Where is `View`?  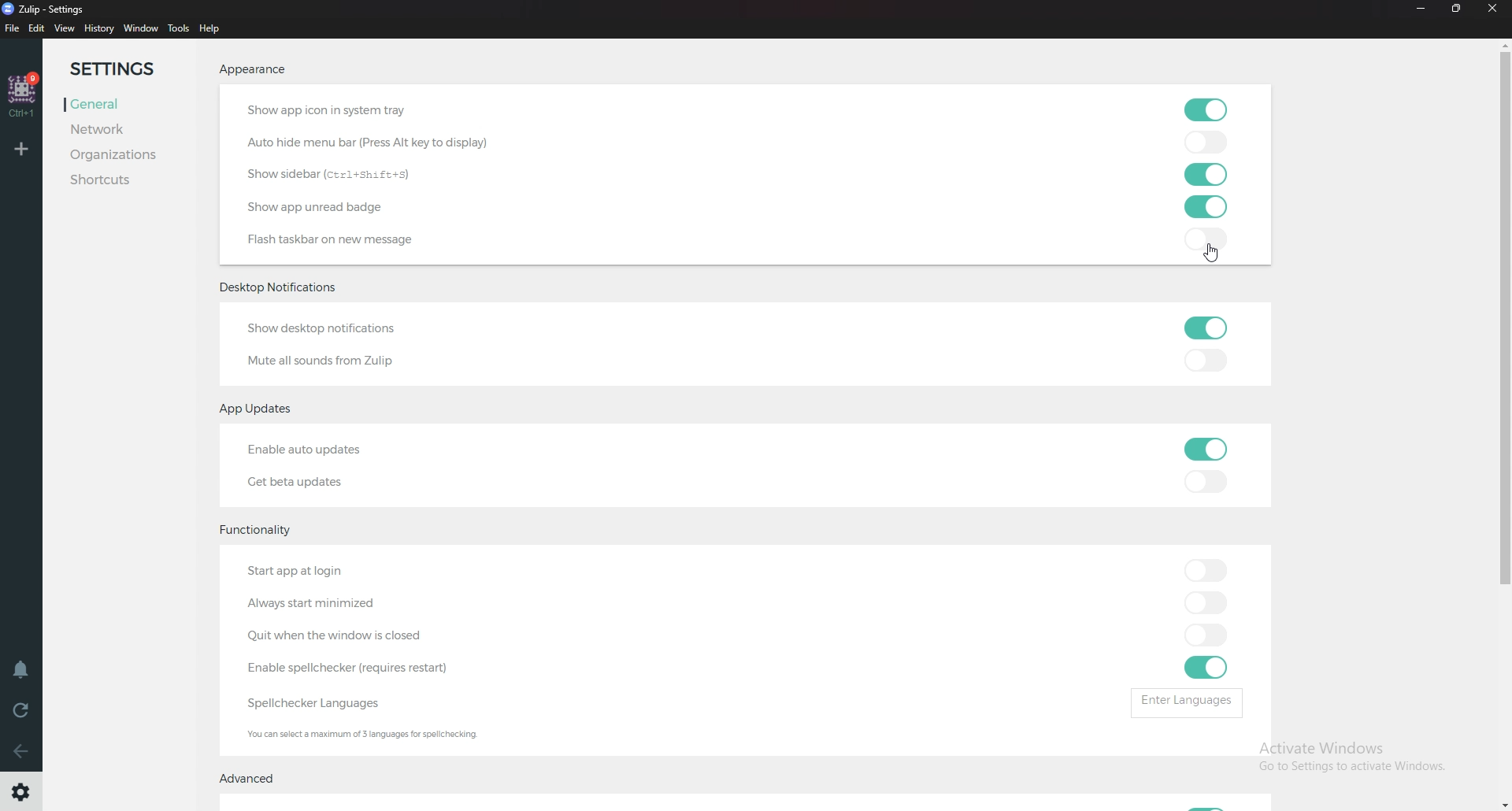 View is located at coordinates (64, 28).